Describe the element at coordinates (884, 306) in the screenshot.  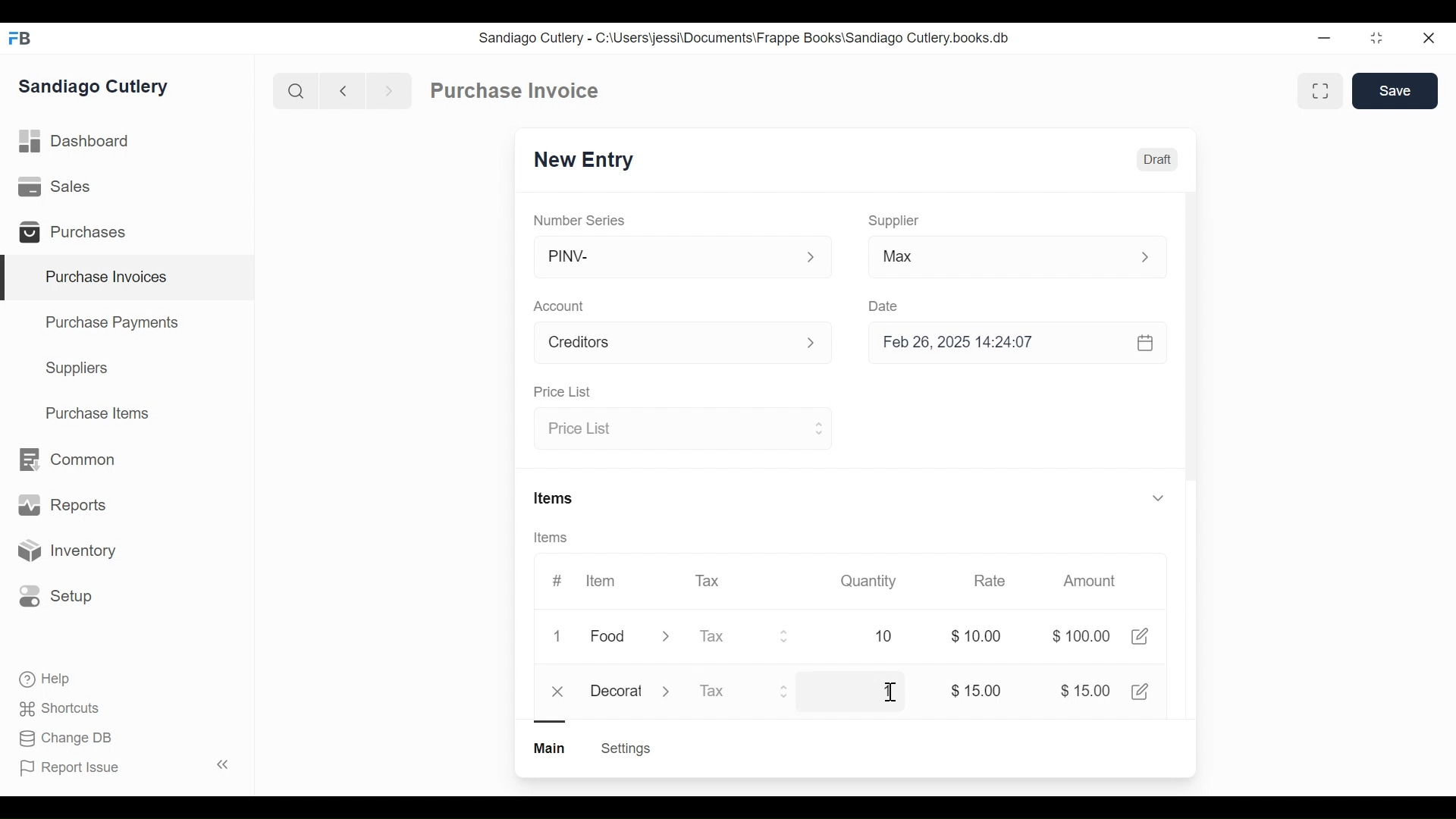
I see `Date` at that location.